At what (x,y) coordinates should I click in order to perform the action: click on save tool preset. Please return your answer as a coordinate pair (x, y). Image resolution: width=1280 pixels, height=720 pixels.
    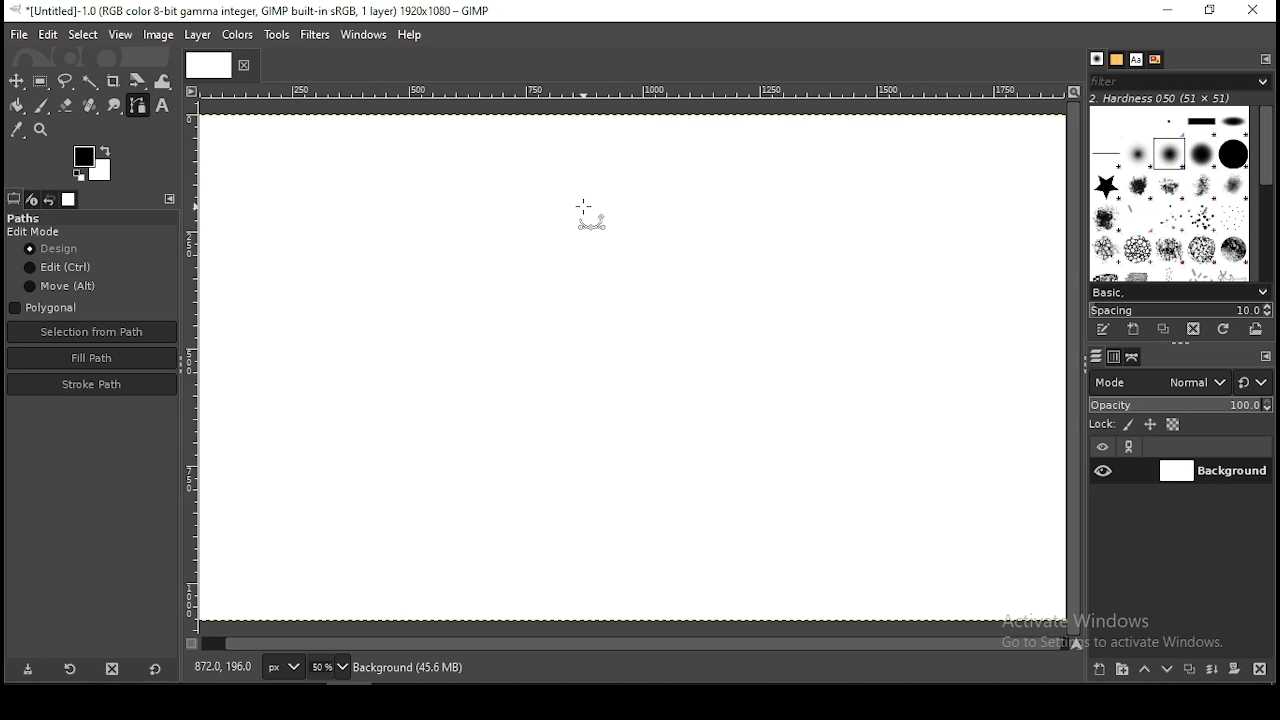
    Looking at the image, I should click on (25, 670).